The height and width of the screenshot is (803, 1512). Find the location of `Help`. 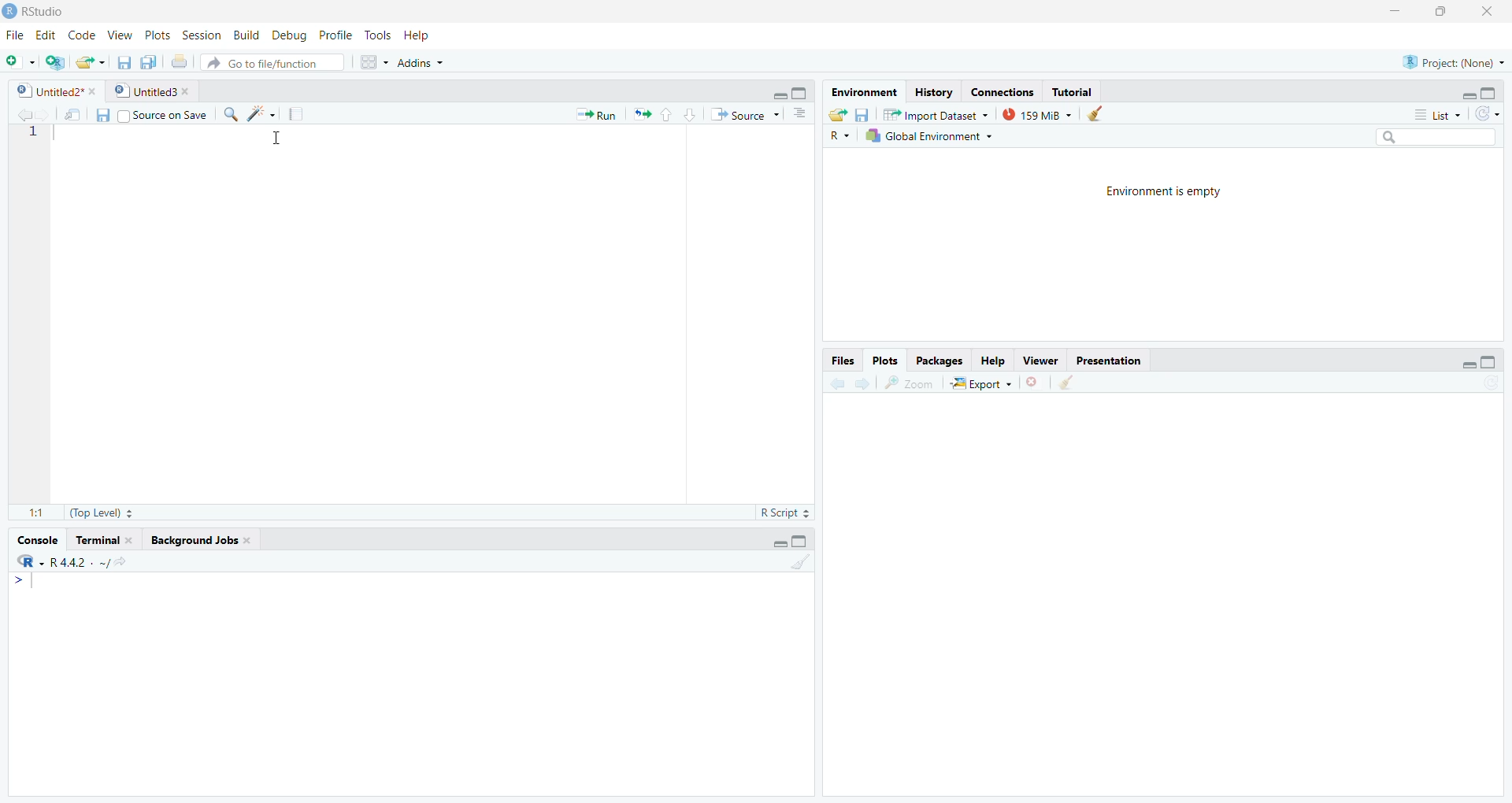

Help is located at coordinates (419, 35).